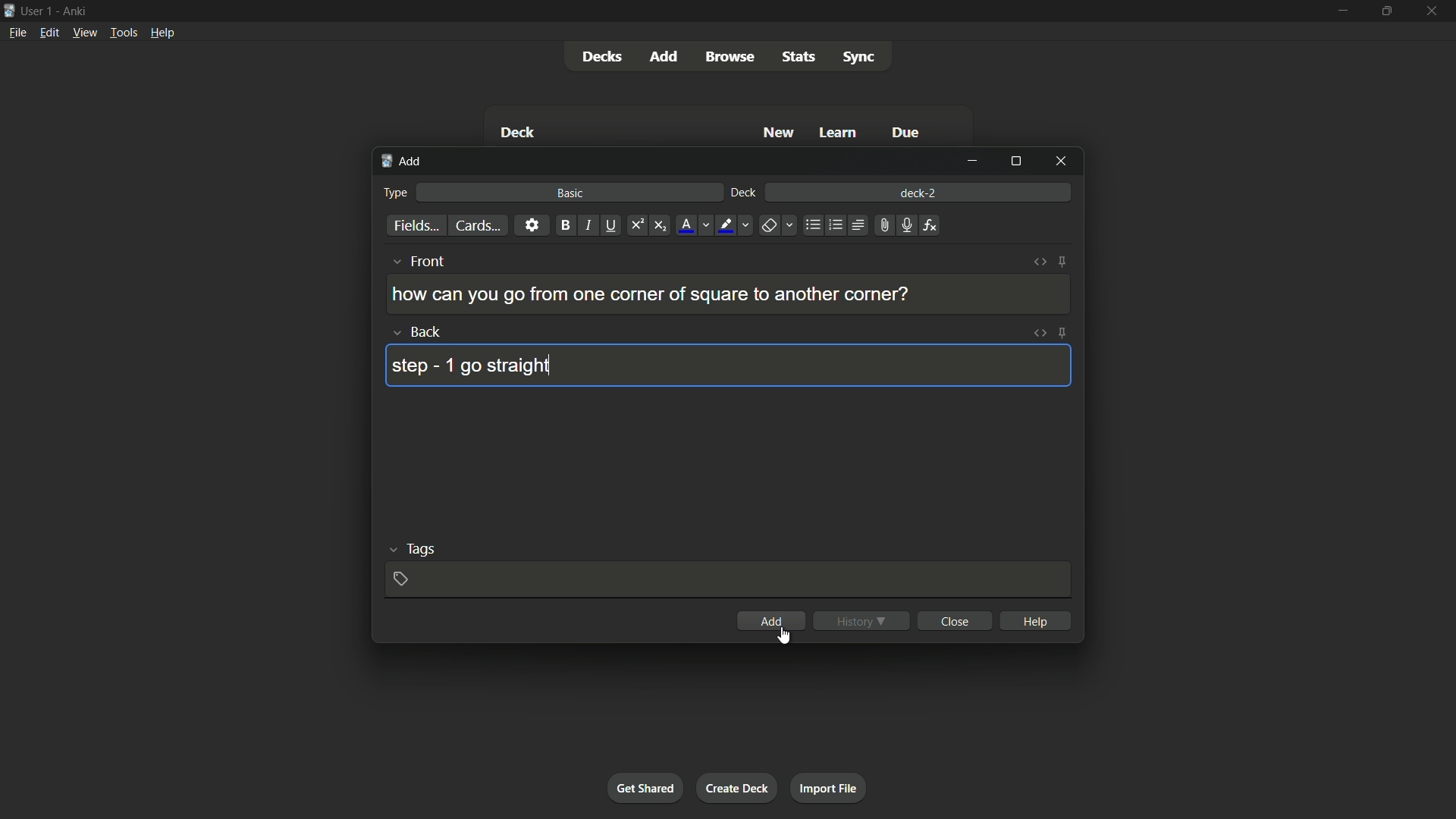 This screenshot has height=819, width=1456. Describe the element at coordinates (775, 621) in the screenshot. I see `add` at that location.